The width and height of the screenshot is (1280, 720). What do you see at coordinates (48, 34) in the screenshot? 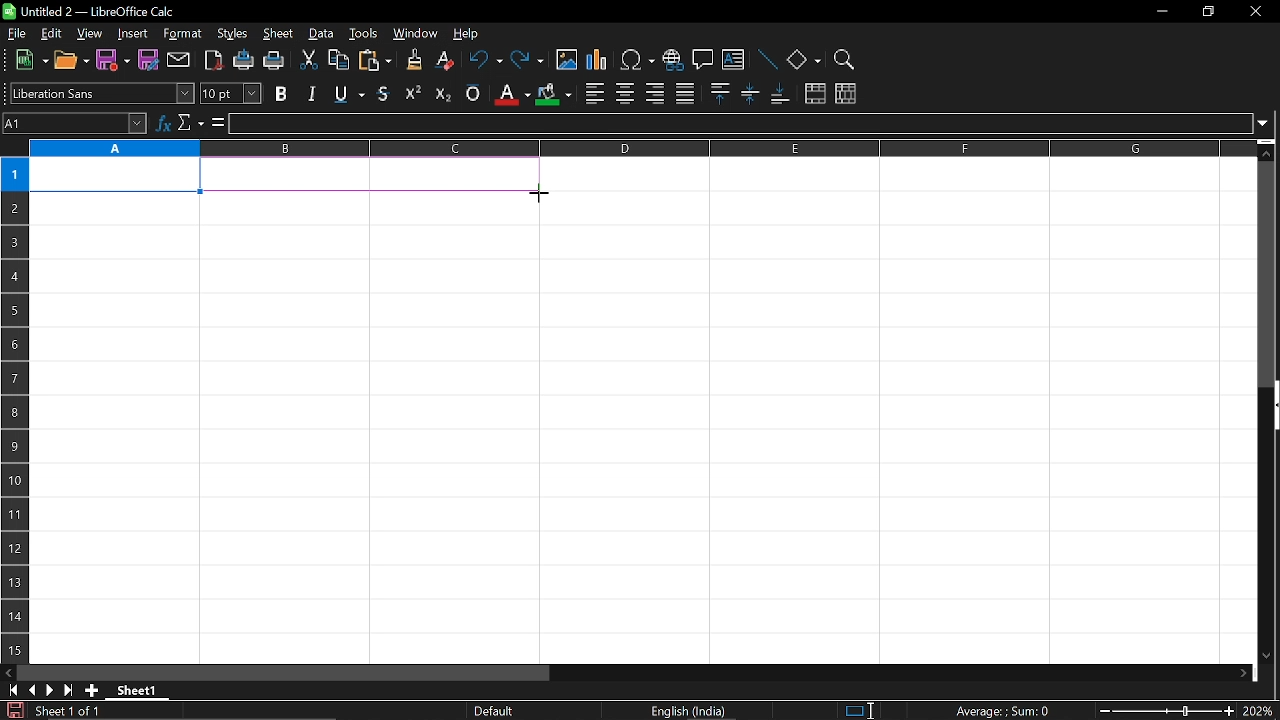
I see `edit` at bounding box center [48, 34].